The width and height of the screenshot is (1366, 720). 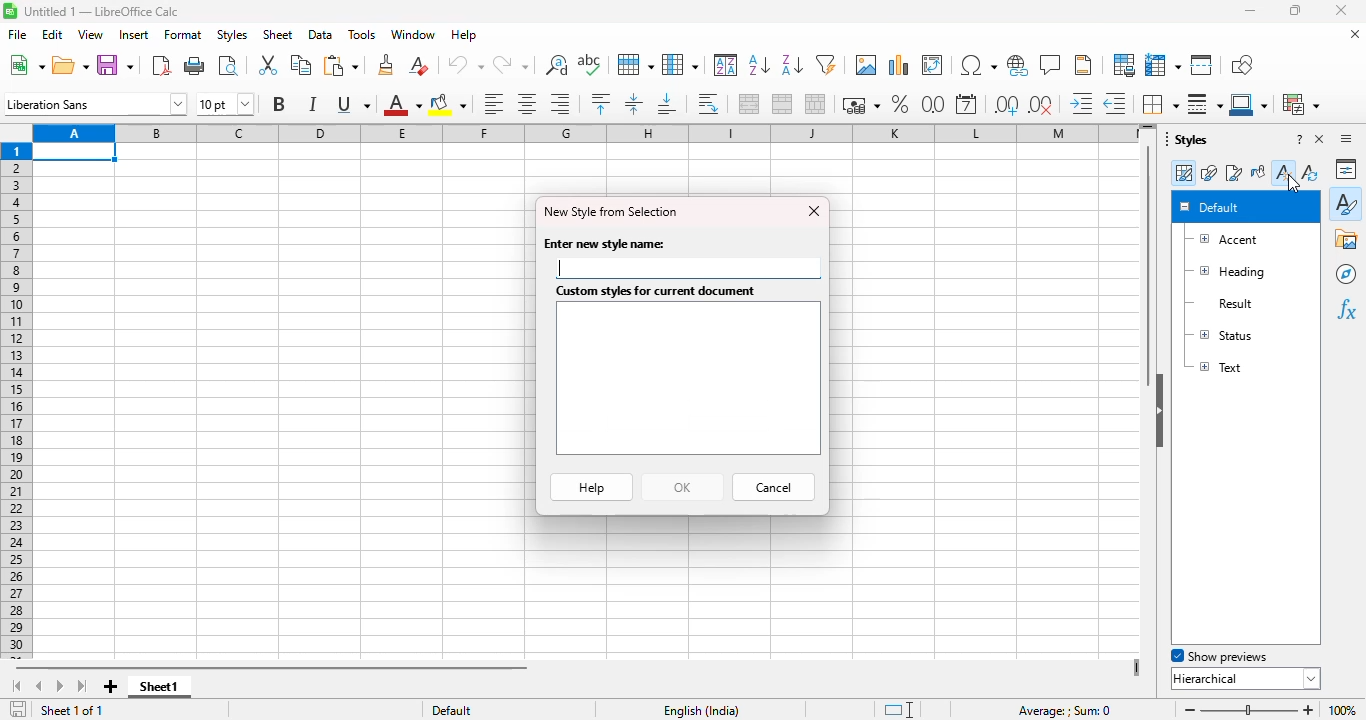 I want to click on sort descending, so click(x=793, y=65).